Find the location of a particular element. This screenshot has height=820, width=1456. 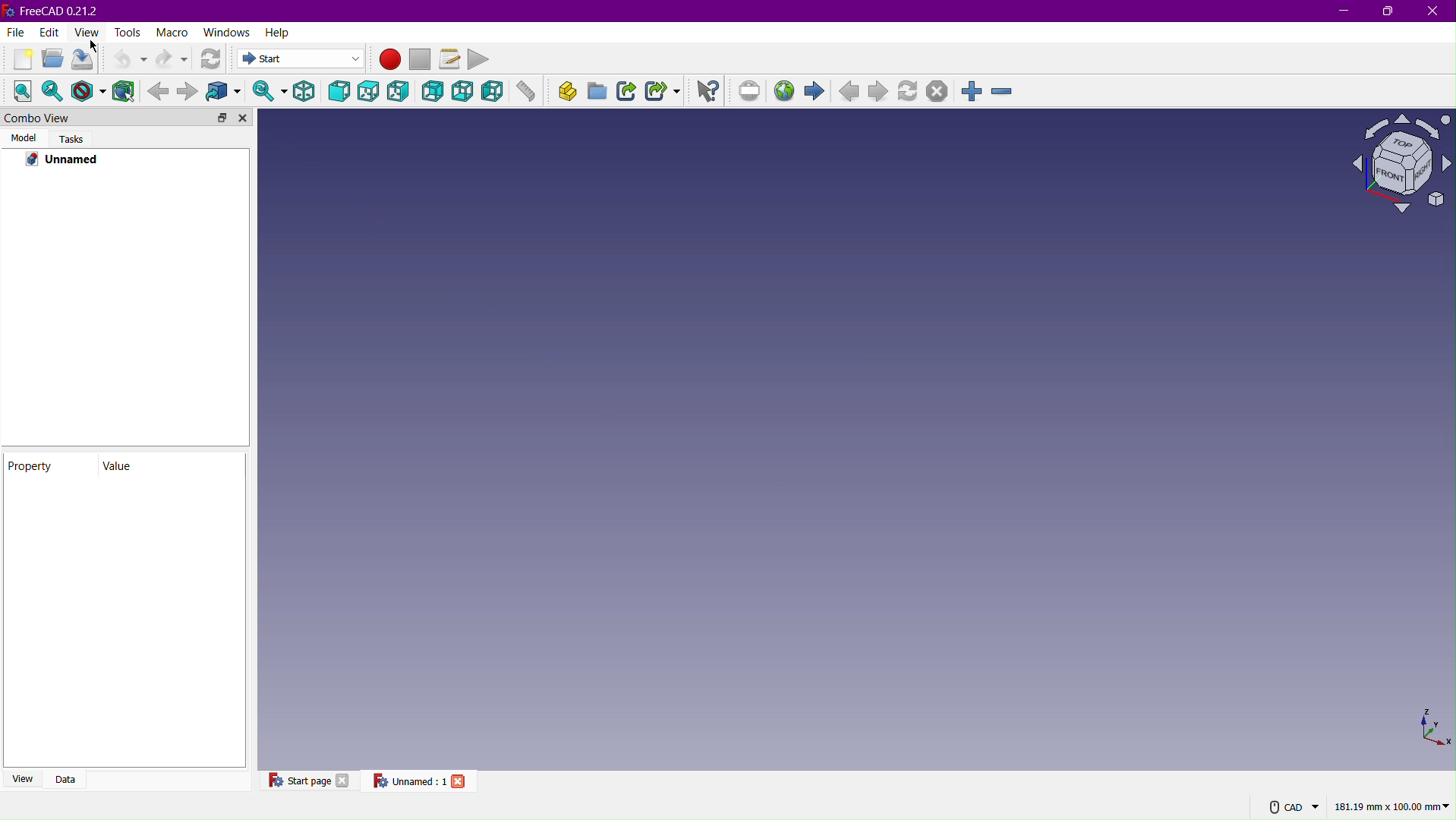

Create group is located at coordinates (597, 93).